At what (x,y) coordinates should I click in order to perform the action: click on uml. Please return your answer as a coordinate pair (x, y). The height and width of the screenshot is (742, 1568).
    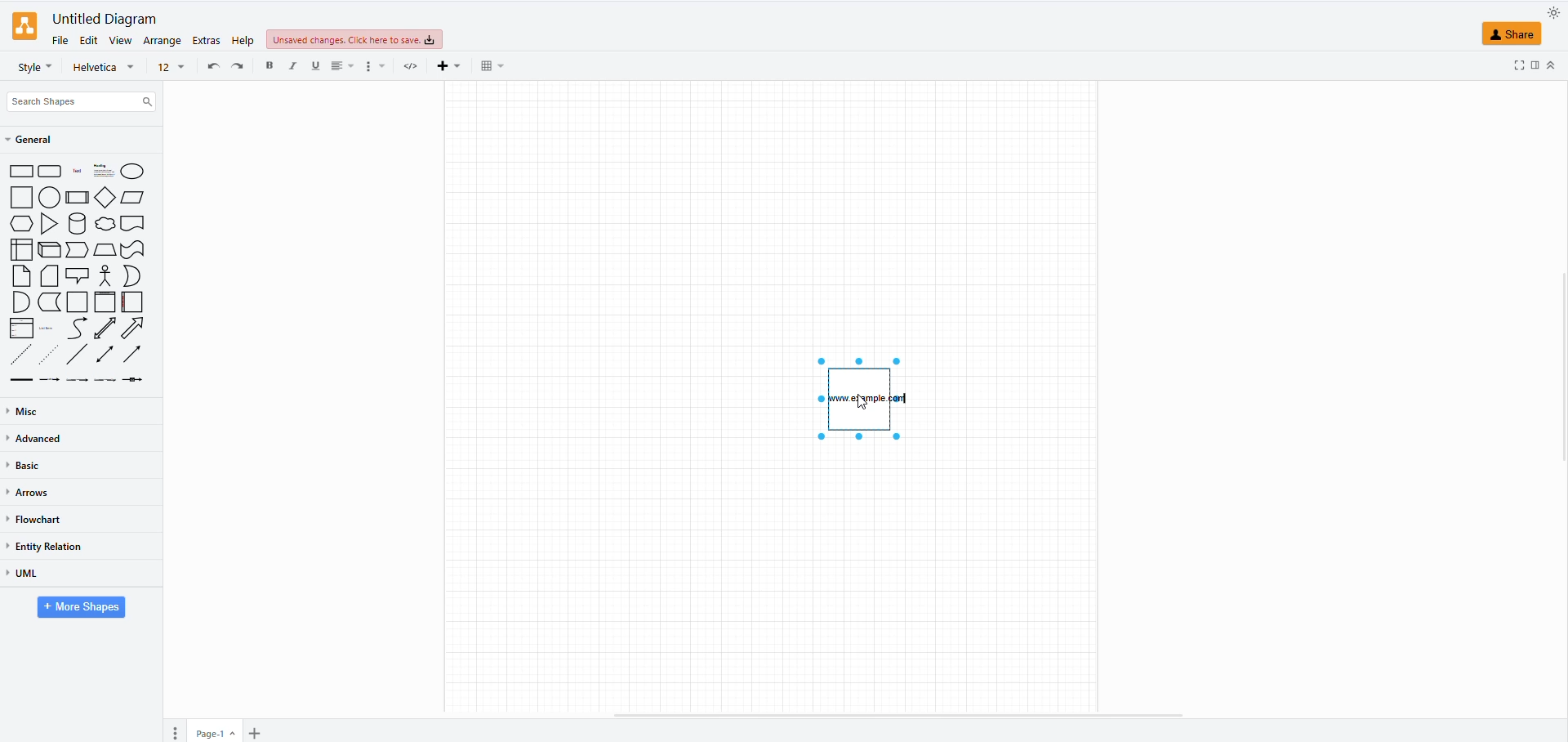
    Looking at the image, I should click on (23, 574).